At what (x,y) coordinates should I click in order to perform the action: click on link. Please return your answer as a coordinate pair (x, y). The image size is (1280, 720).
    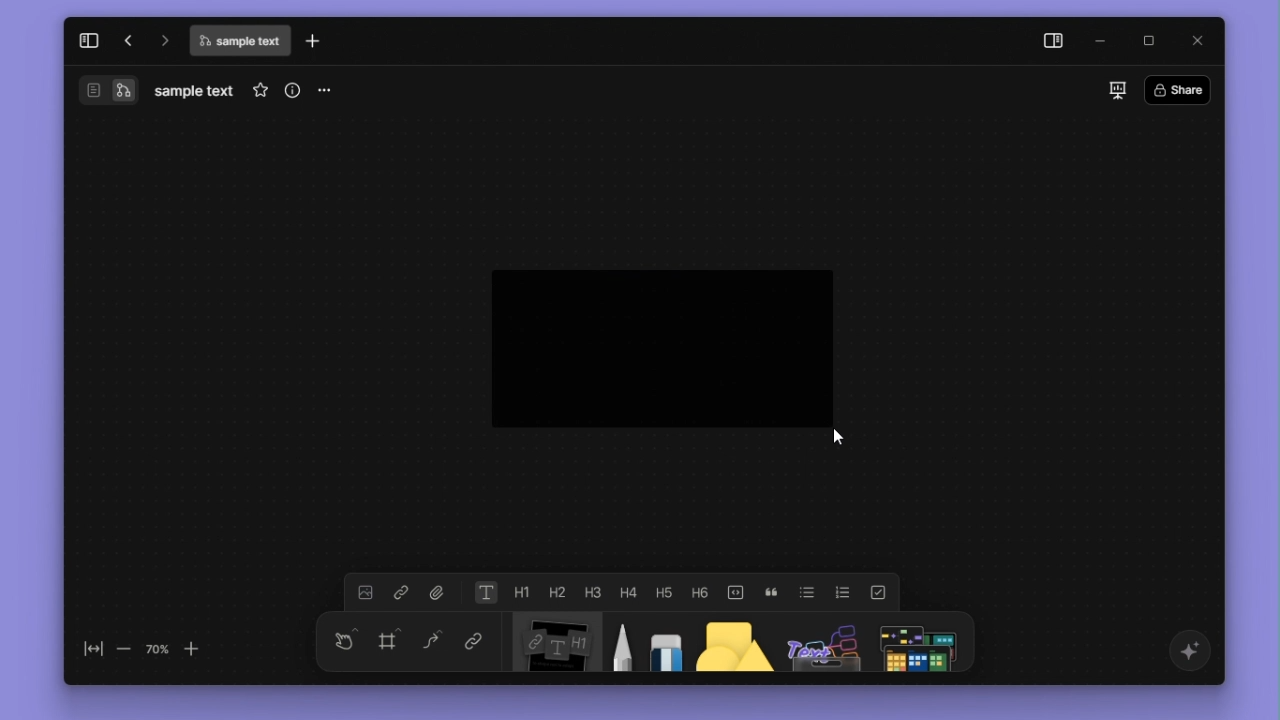
    Looking at the image, I should click on (470, 643).